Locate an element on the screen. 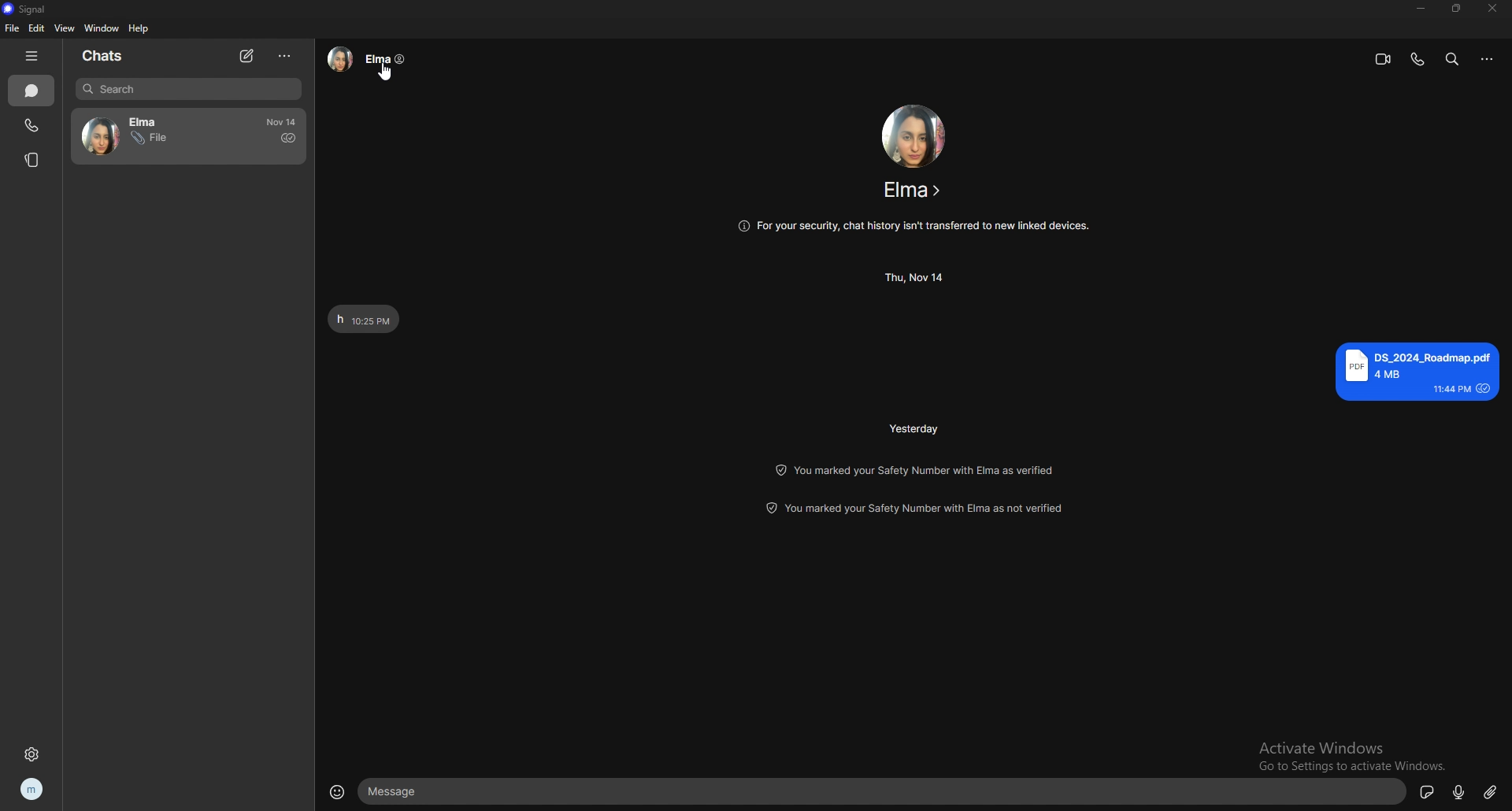  help is located at coordinates (140, 29).